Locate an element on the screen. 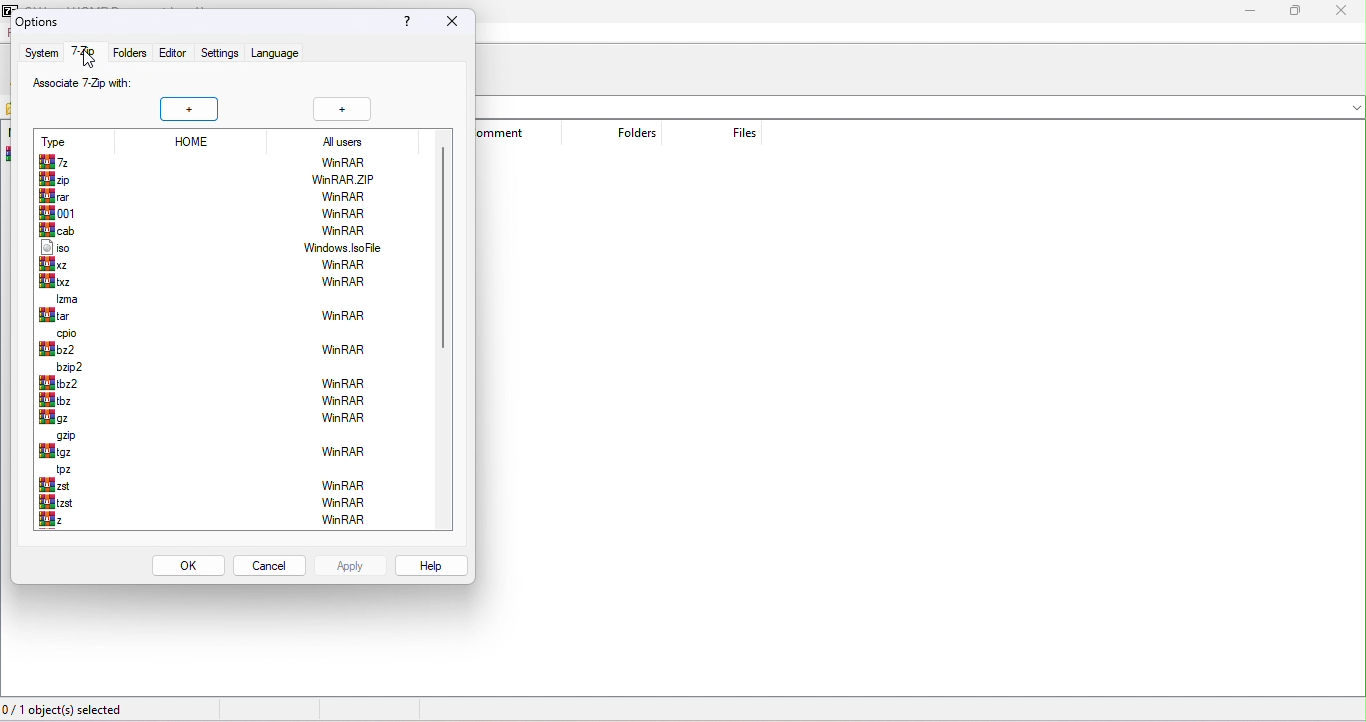 The height and width of the screenshot is (722, 1366). winrar.zip is located at coordinates (350, 179).